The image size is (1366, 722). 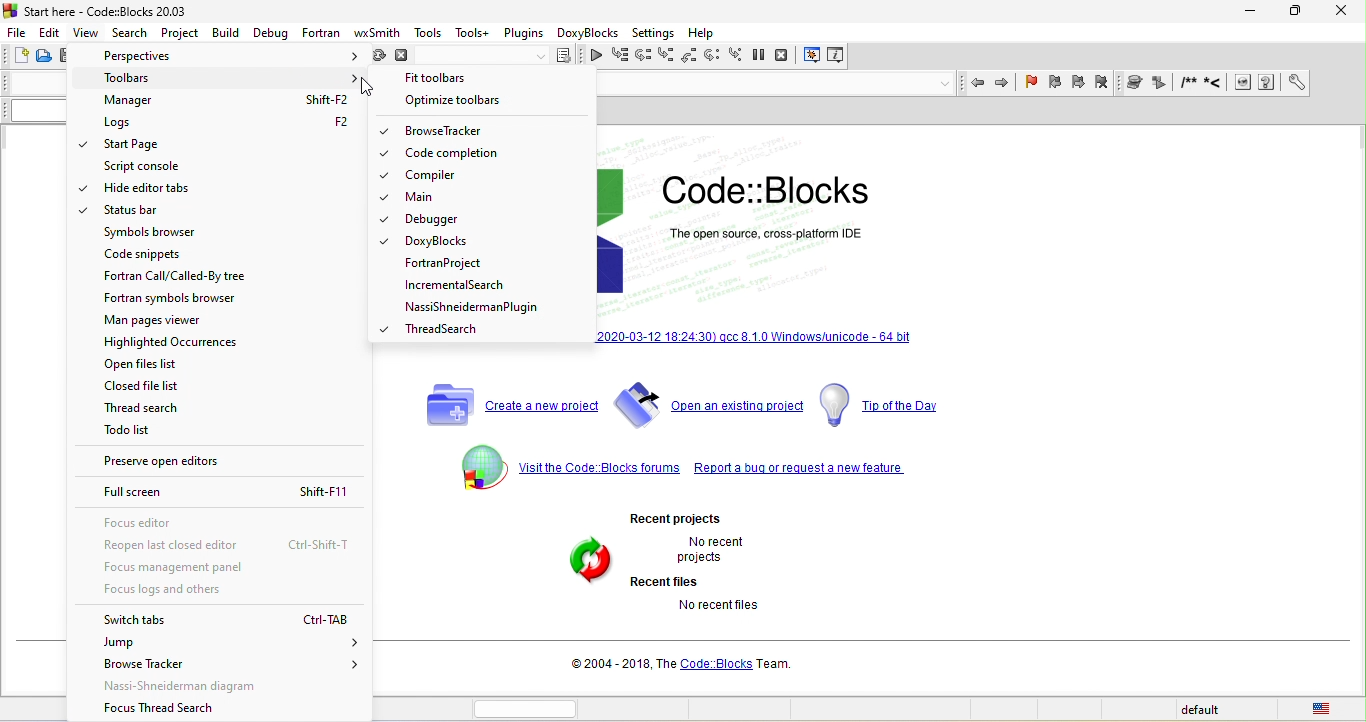 What do you see at coordinates (689, 57) in the screenshot?
I see `step out` at bounding box center [689, 57].